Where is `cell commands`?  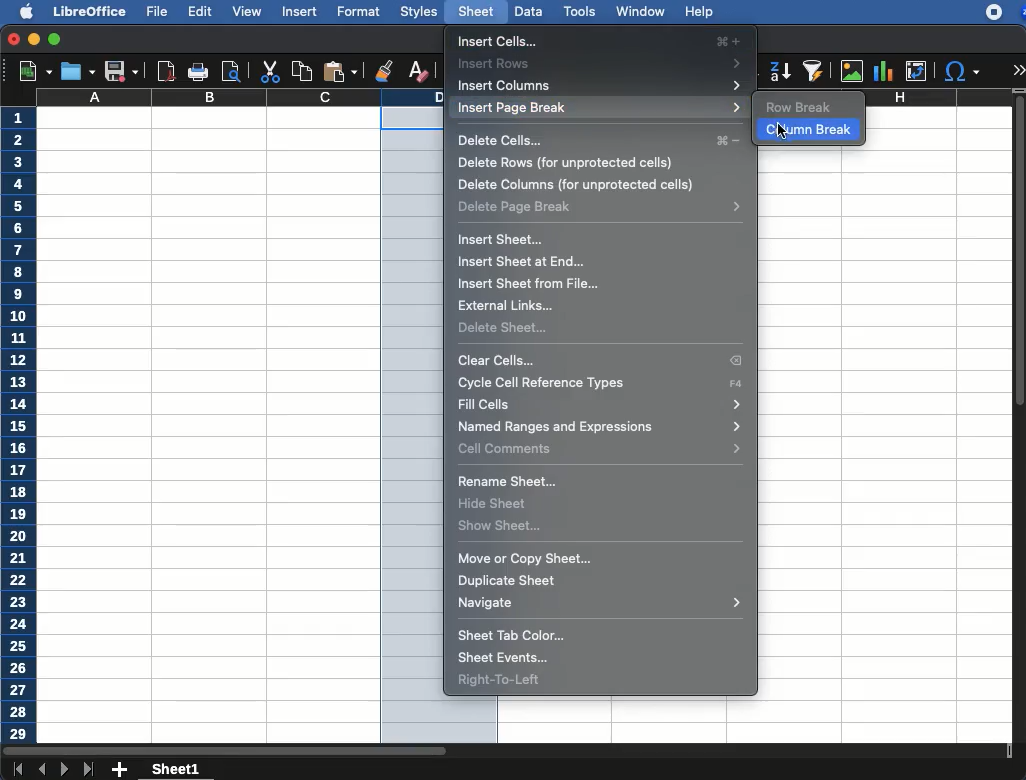 cell commands is located at coordinates (603, 449).